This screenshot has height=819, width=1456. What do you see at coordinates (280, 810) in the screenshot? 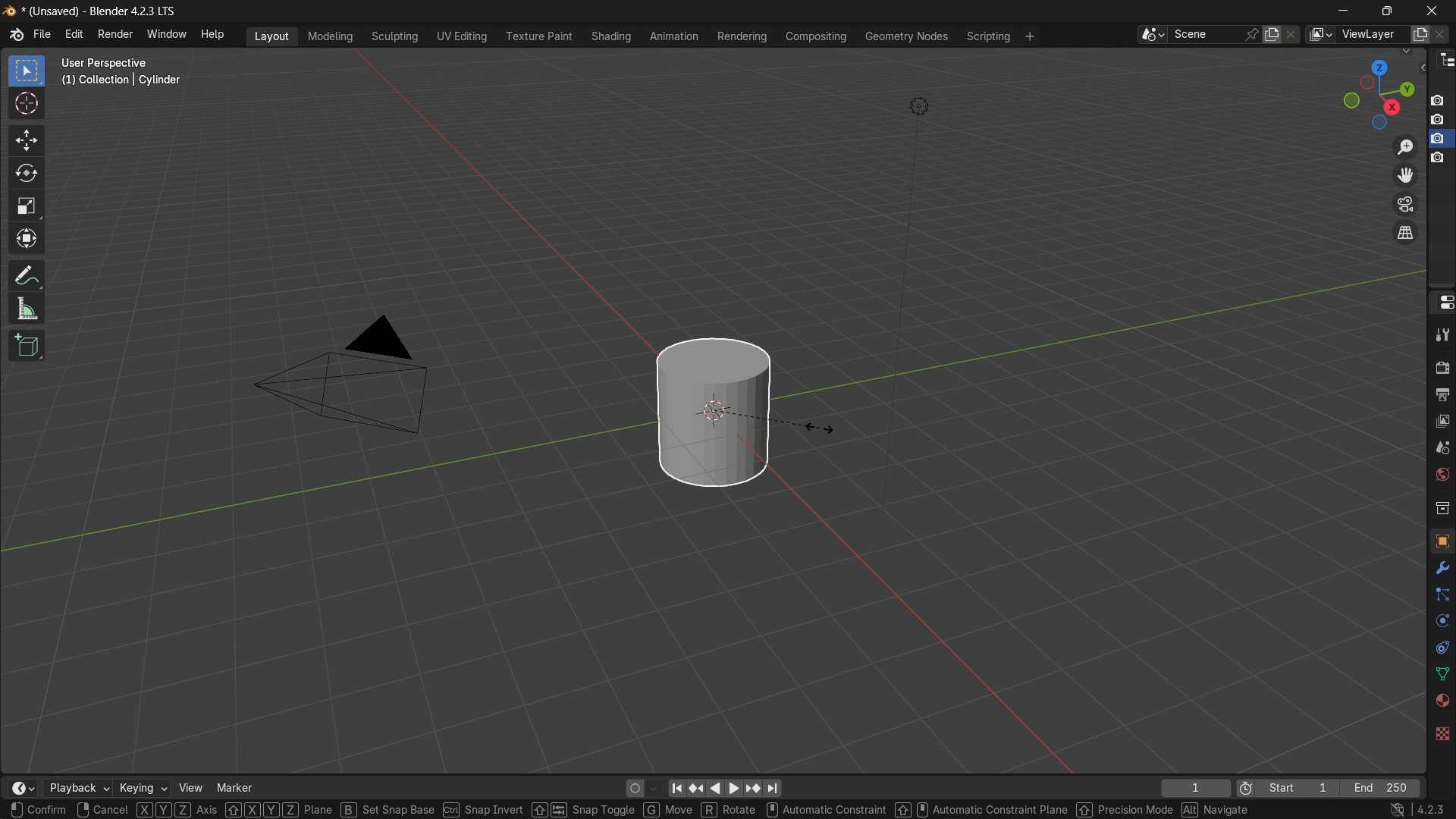
I see `hold shift and X,Y,Z to change Plane` at bounding box center [280, 810].